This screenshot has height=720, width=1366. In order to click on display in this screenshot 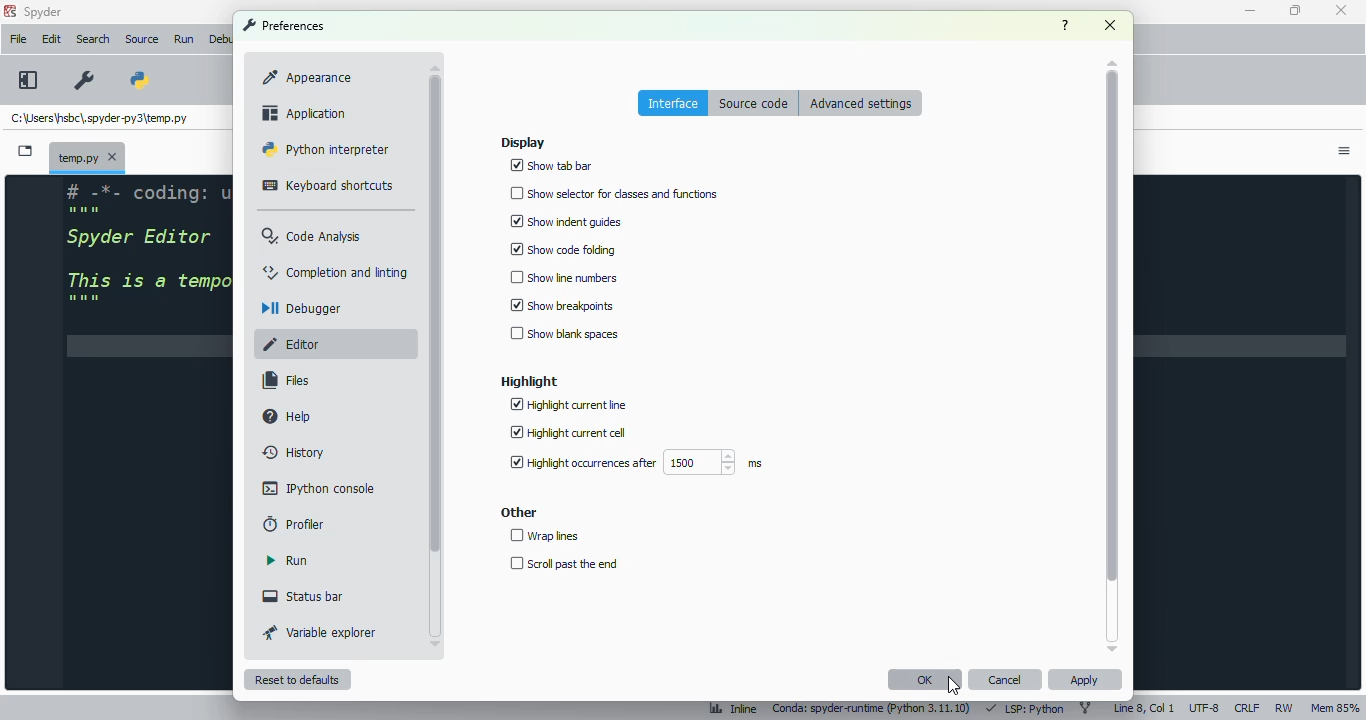, I will do `click(525, 143)`.